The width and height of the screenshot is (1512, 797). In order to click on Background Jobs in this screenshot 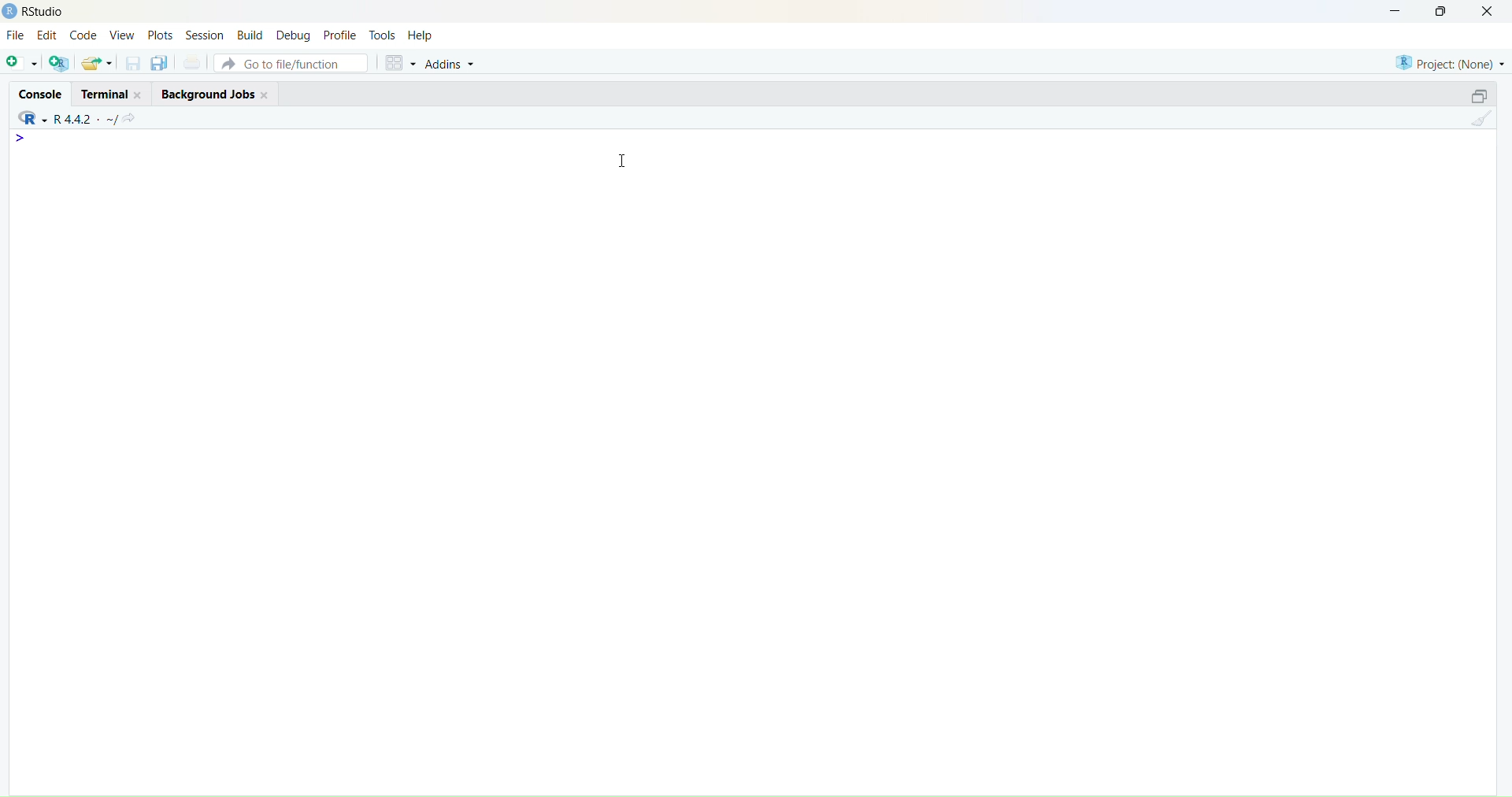, I will do `click(218, 94)`.